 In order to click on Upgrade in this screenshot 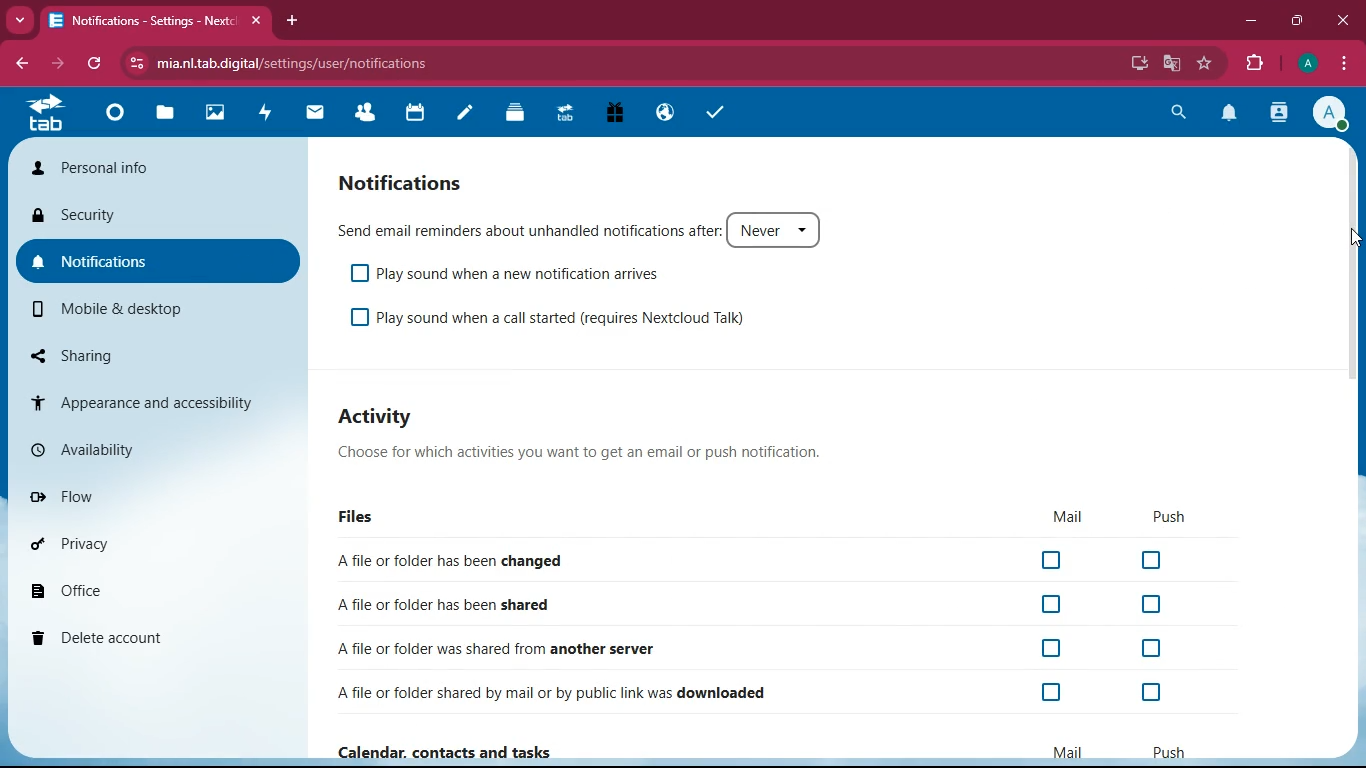, I will do `click(566, 115)`.